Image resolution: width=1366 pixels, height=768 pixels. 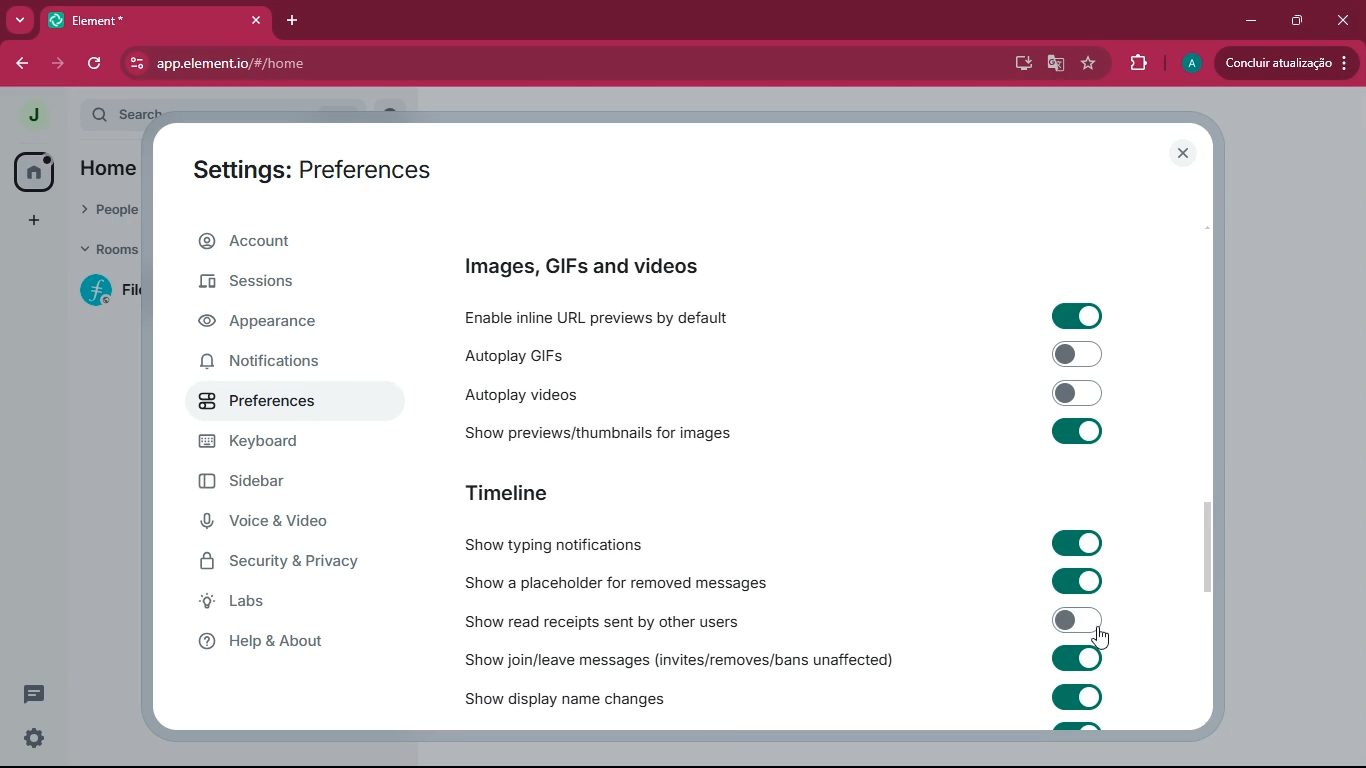 What do you see at coordinates (302, 642) in the screenshot?
I see `help & about` at bounding box center [302, 642].